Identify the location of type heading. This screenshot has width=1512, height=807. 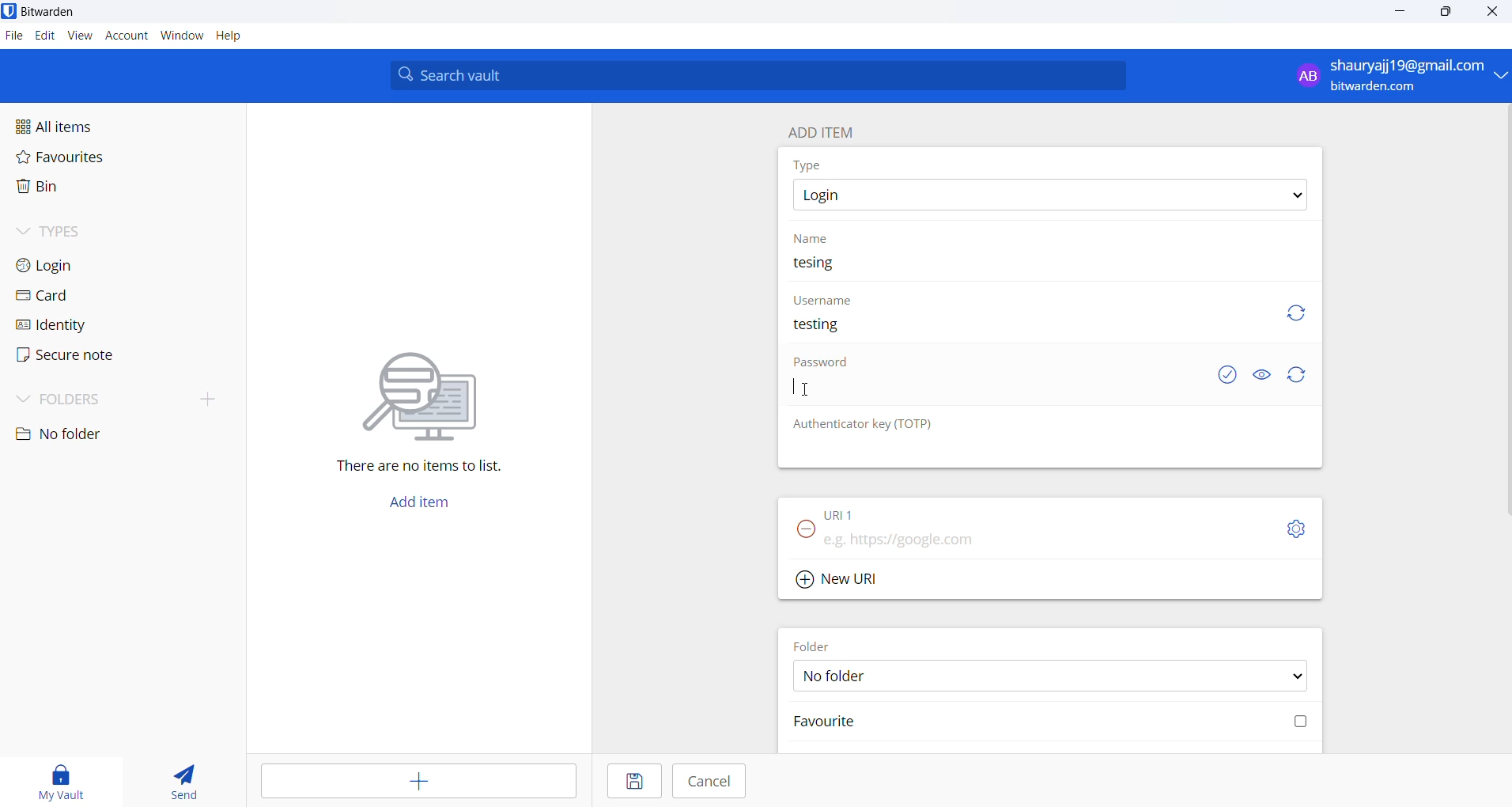
(811, 166).